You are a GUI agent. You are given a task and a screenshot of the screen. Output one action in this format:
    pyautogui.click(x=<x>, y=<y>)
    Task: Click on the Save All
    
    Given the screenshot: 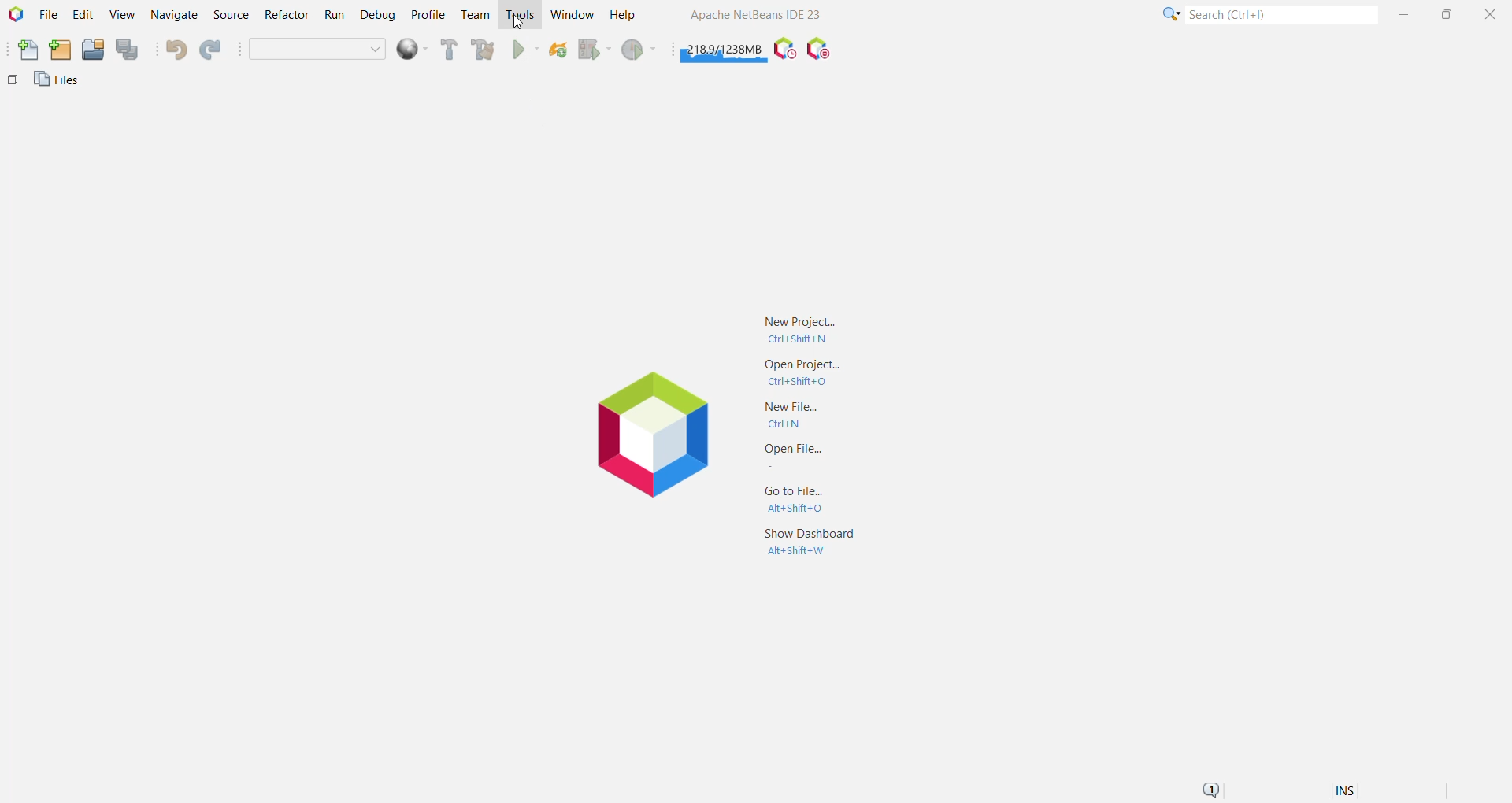 What is the action you would take?
    pyautogui.click(x=128, y=50)
    